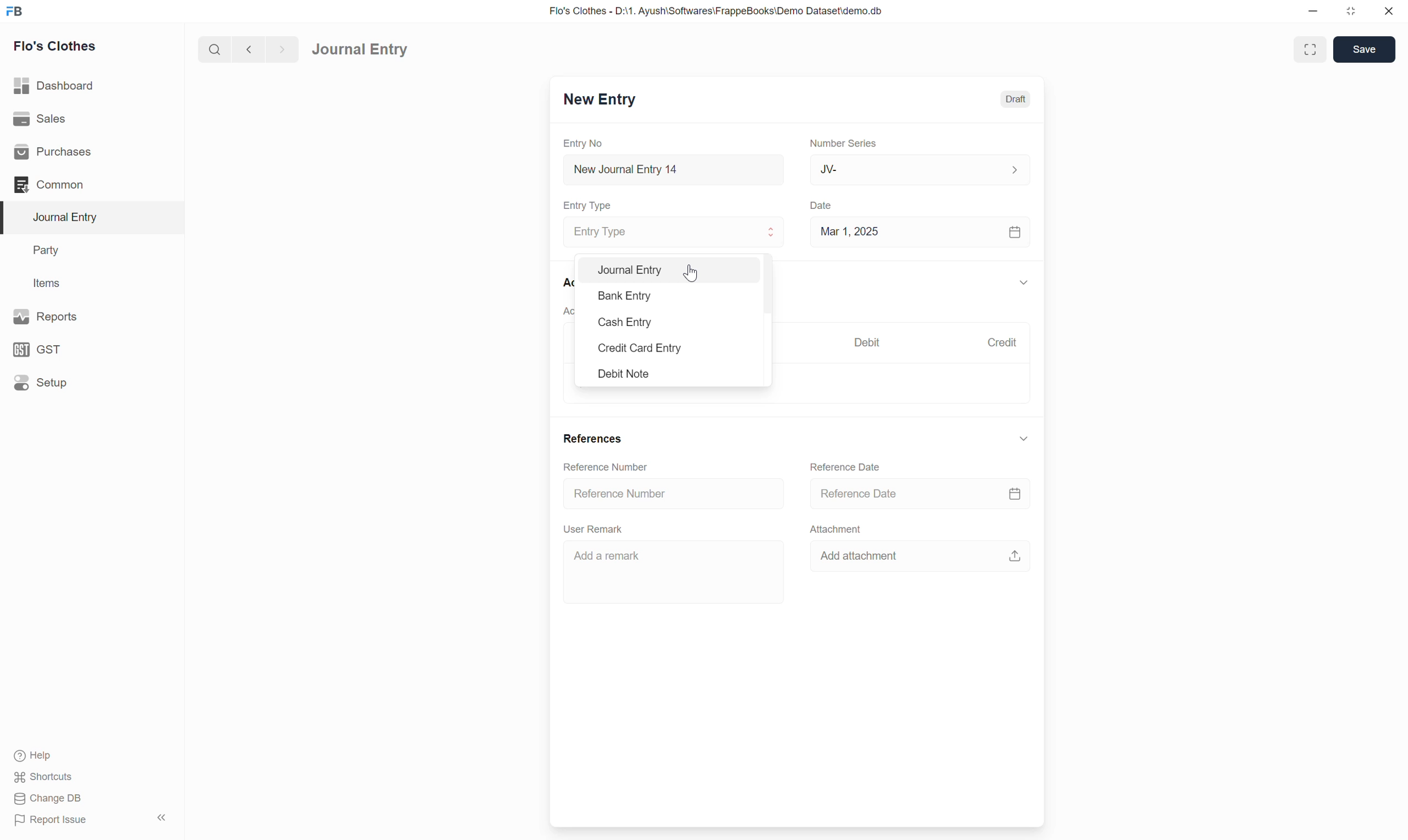 This screenshot has width=1408, height=840. Describe the element at coordinates (36, 756) in the screenshot. I see `Help` at that location.